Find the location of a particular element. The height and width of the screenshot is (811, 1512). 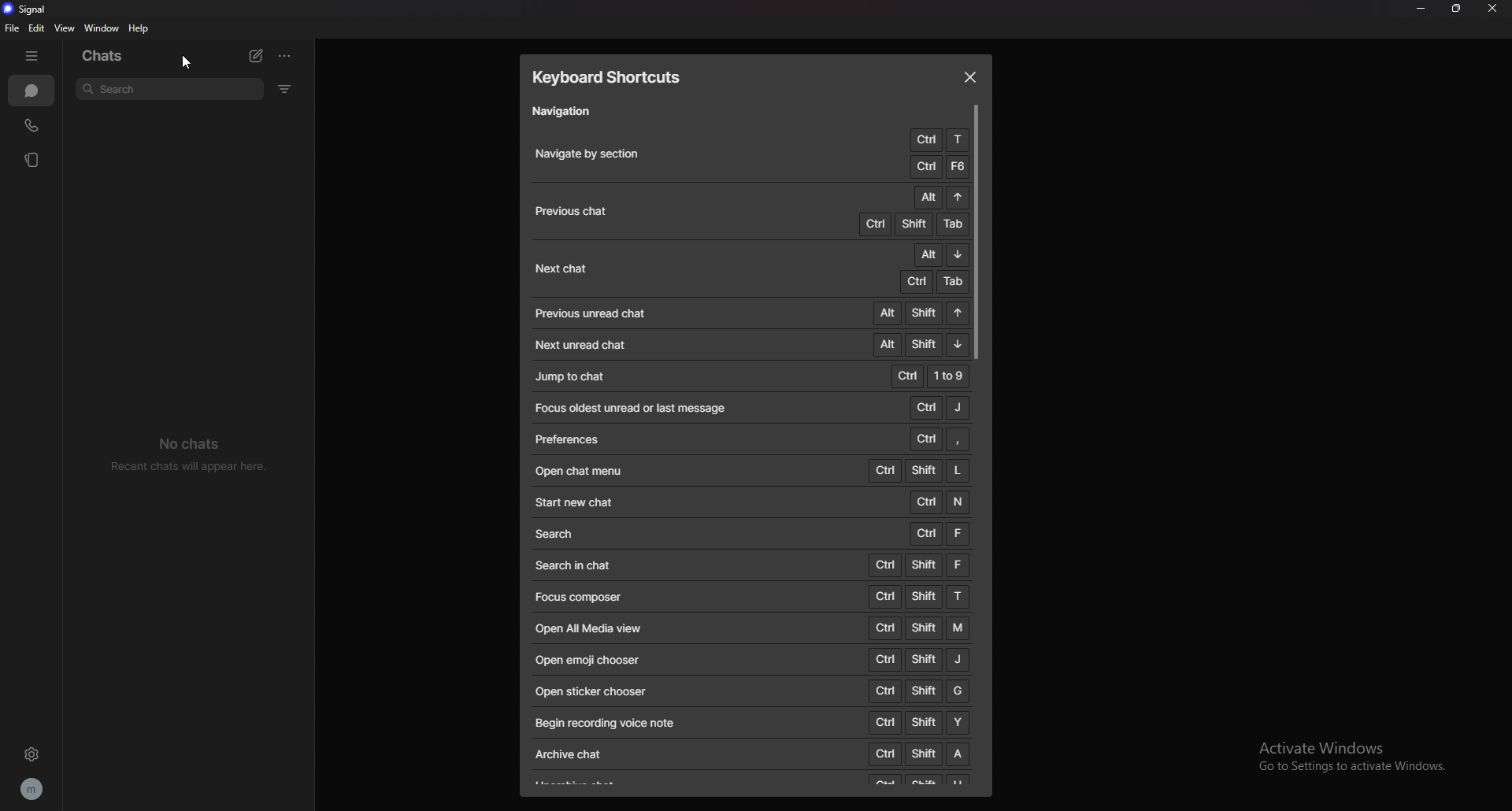

CTRL + , is located at coordinates (940, 439).